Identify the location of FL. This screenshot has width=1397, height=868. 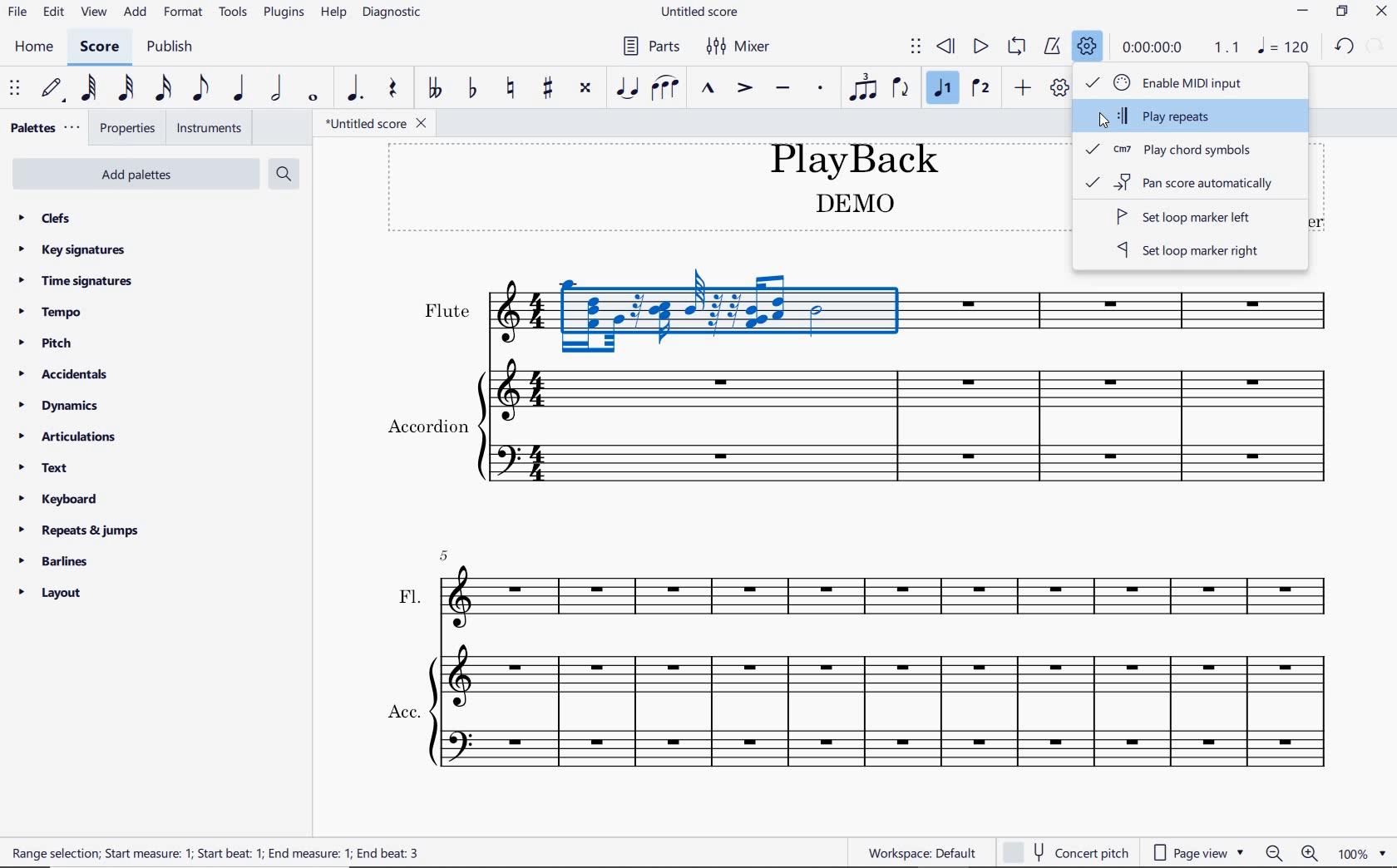
(863, 589).